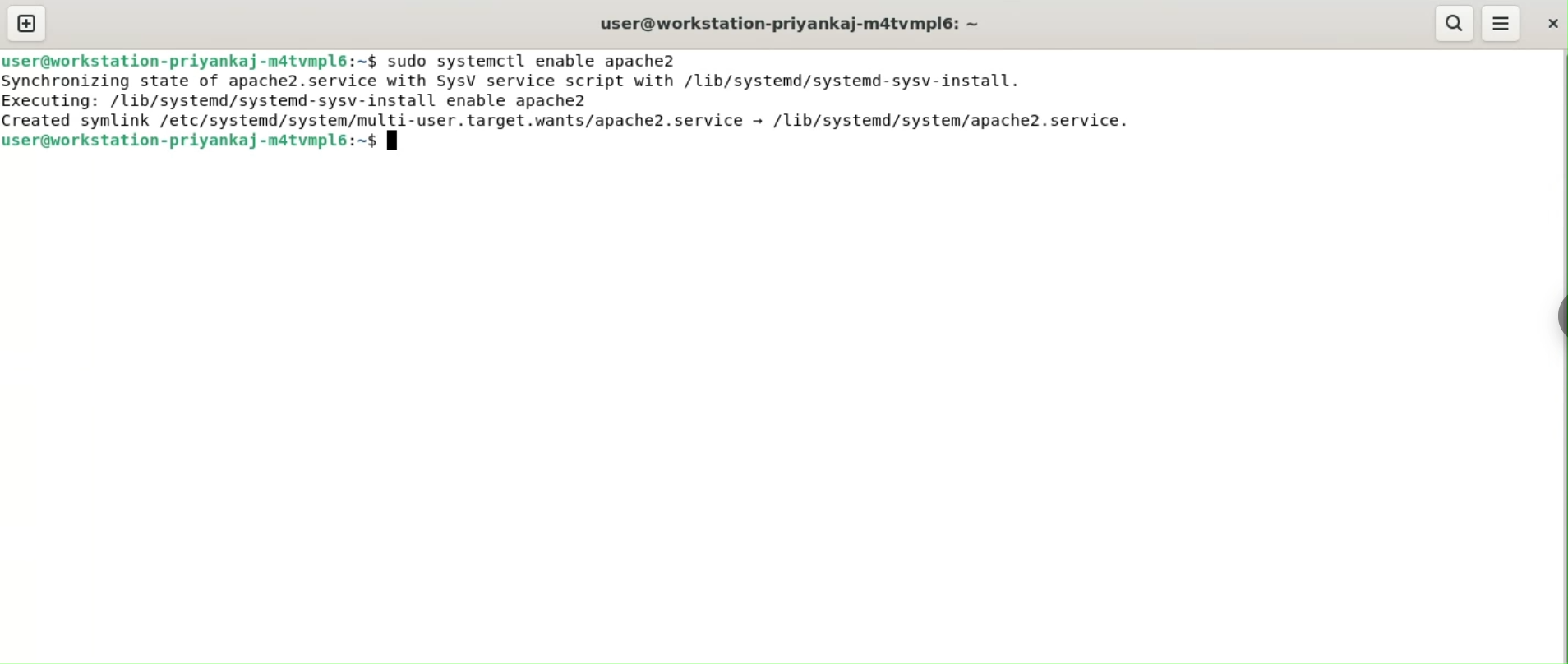  I want to click on sudo systemctl enable apache2, so click(532, 61).